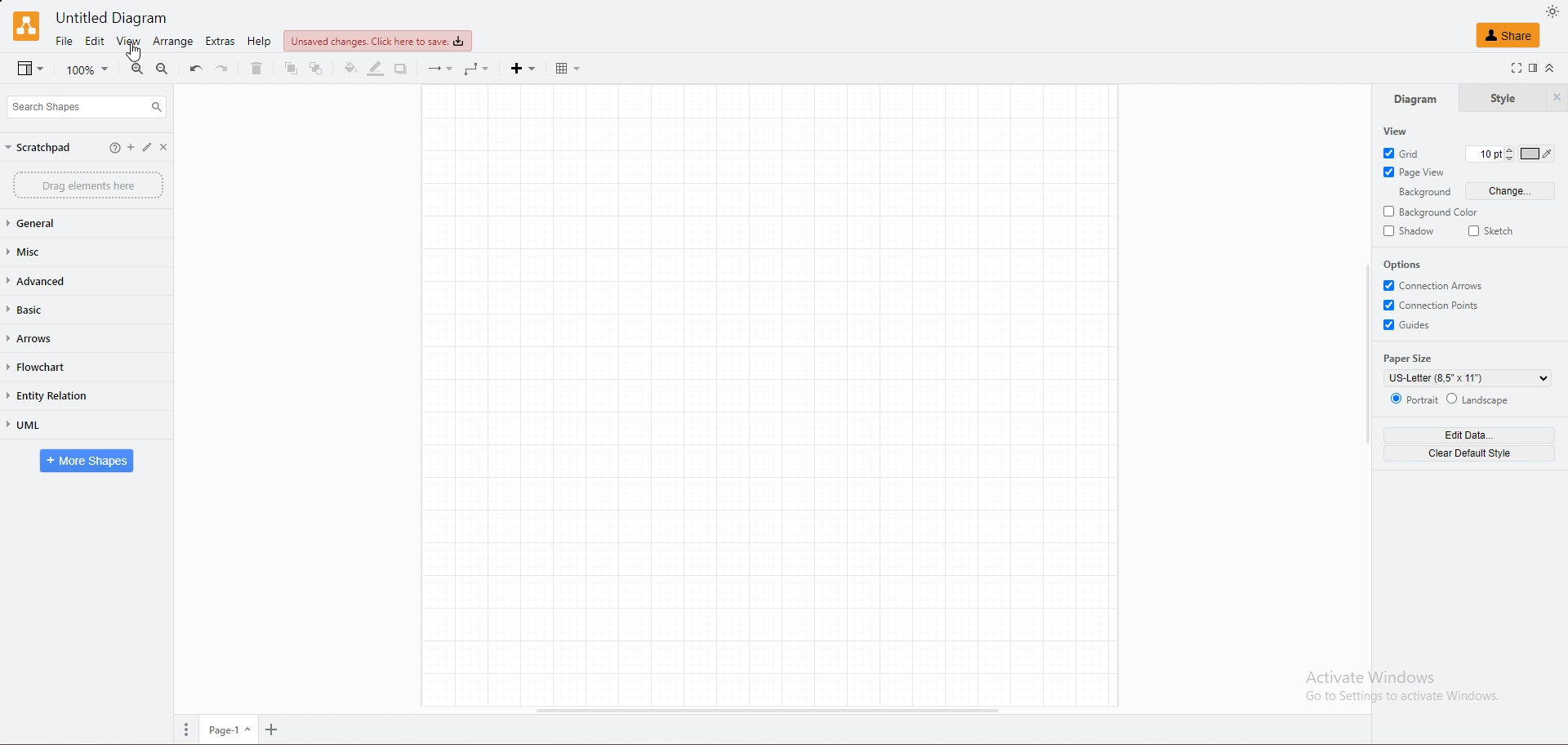  What do you see at coordinates (65, 41) in the screenshot?
I see `file` at bounding box center [65, 41].